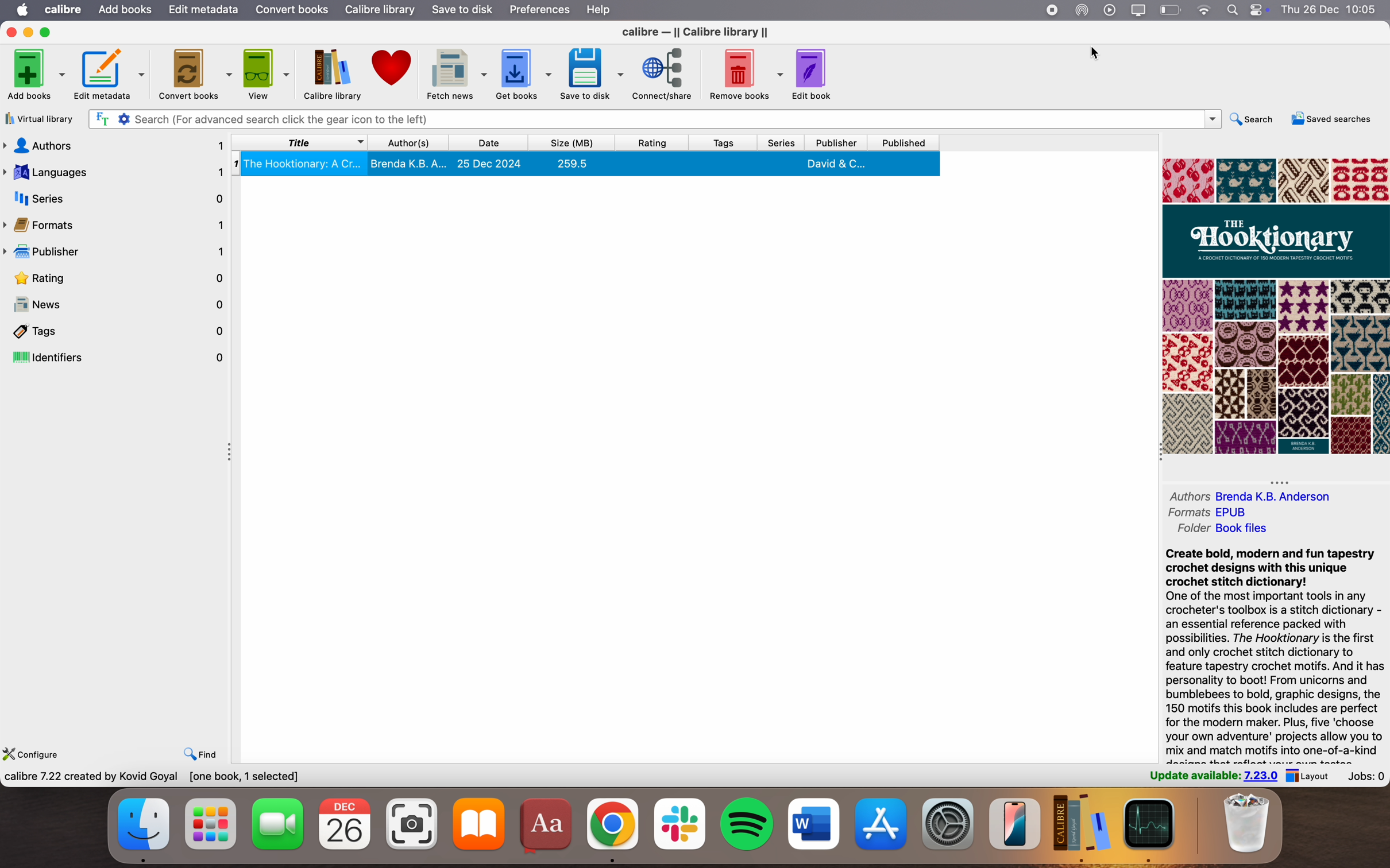  Describe the element at coordinates (49, 32) in the screenshot. I see `maximize` at that location.